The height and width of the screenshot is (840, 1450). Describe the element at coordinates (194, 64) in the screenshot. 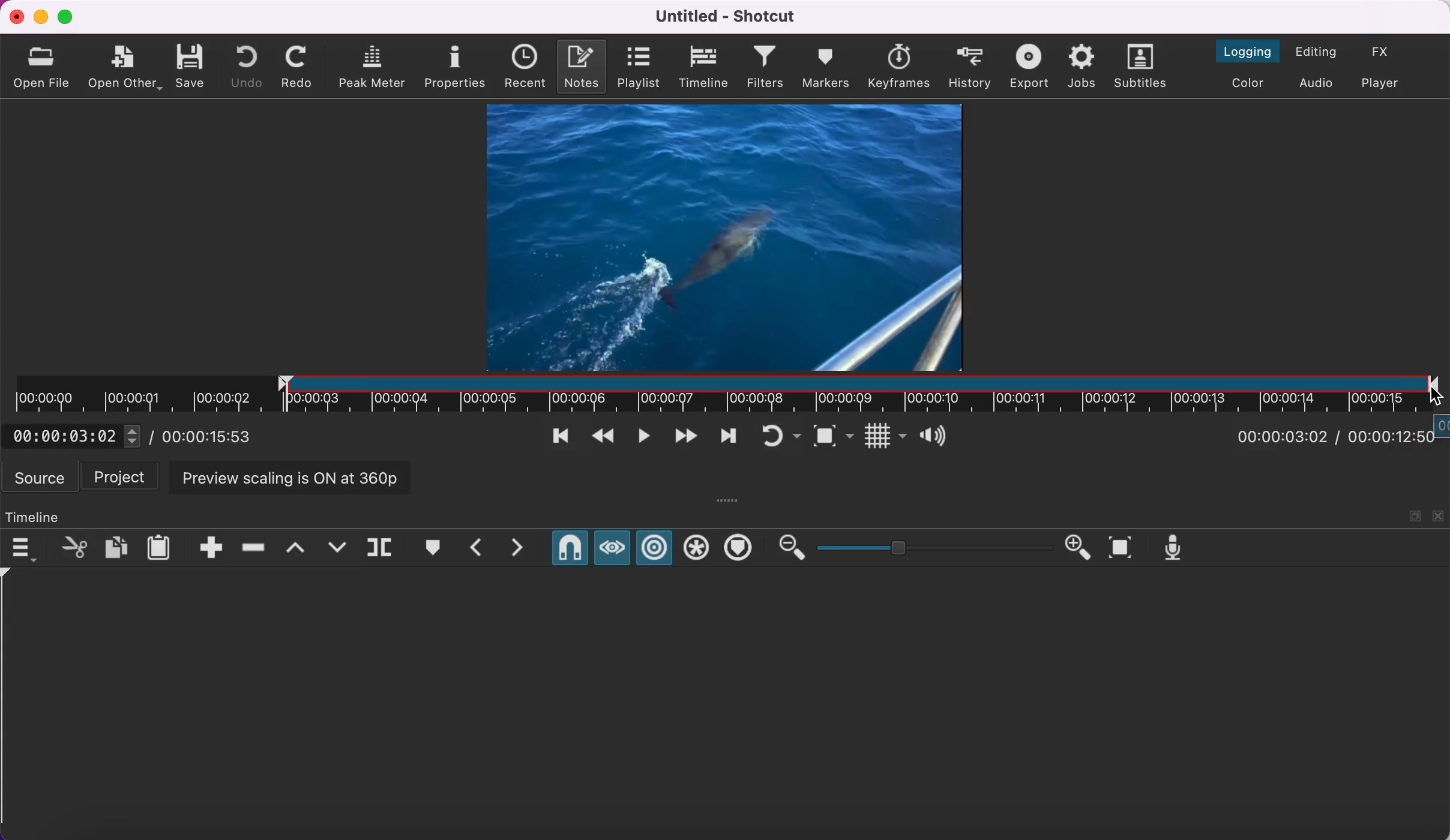

I see `save` at that location.